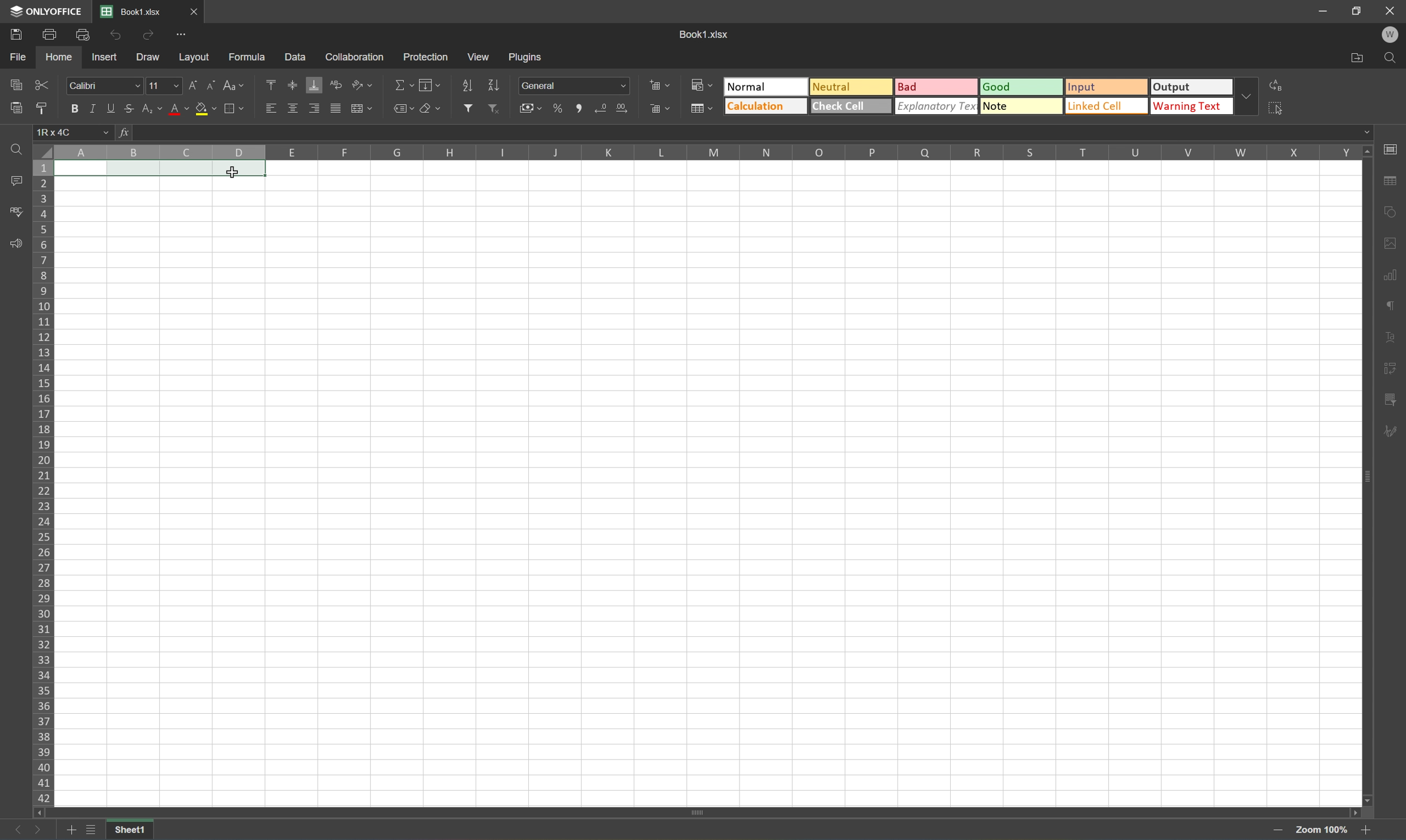  I want to click on Delete cells, so click(659, 108).